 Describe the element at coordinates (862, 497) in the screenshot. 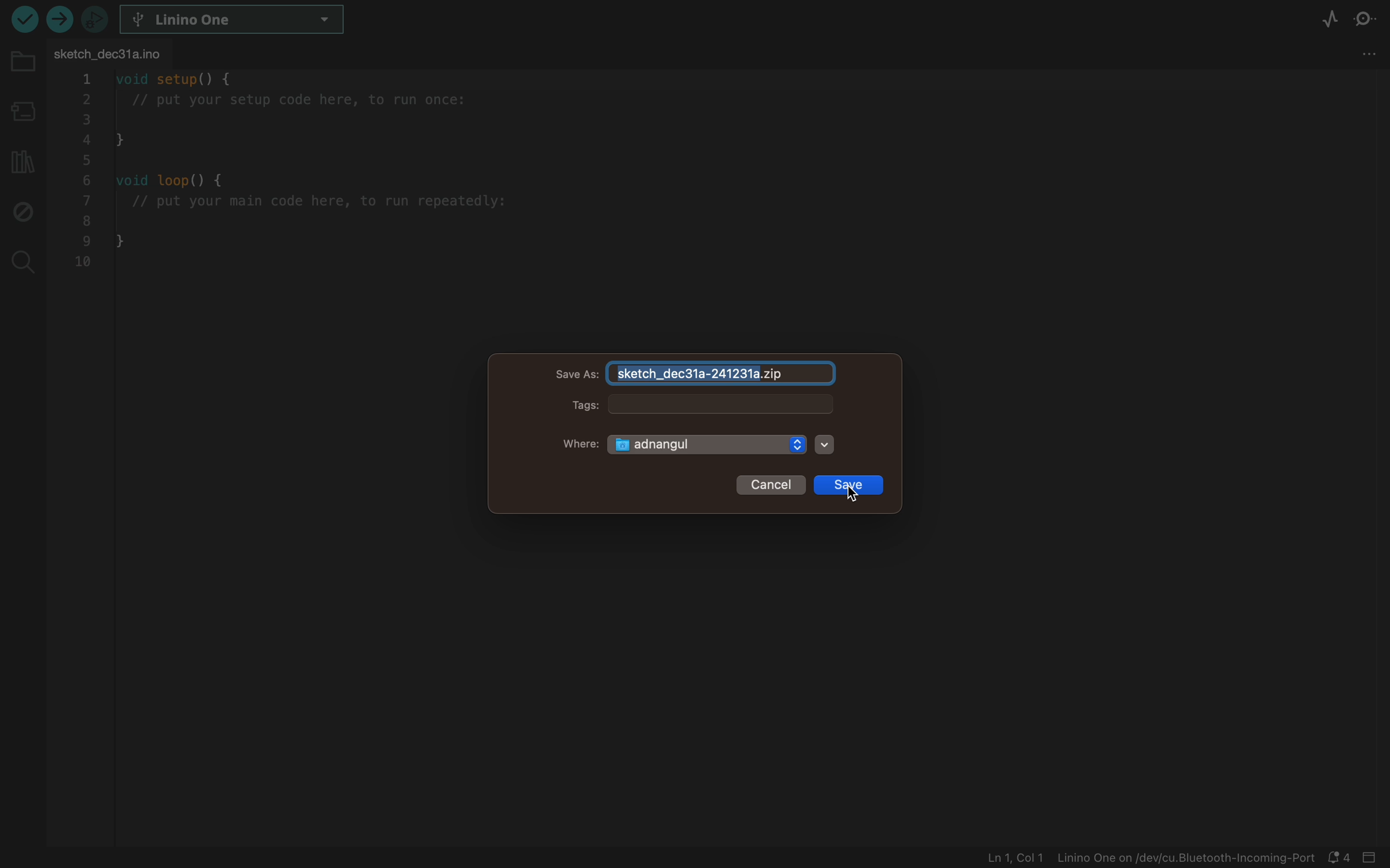

I see `cursor` at that location.